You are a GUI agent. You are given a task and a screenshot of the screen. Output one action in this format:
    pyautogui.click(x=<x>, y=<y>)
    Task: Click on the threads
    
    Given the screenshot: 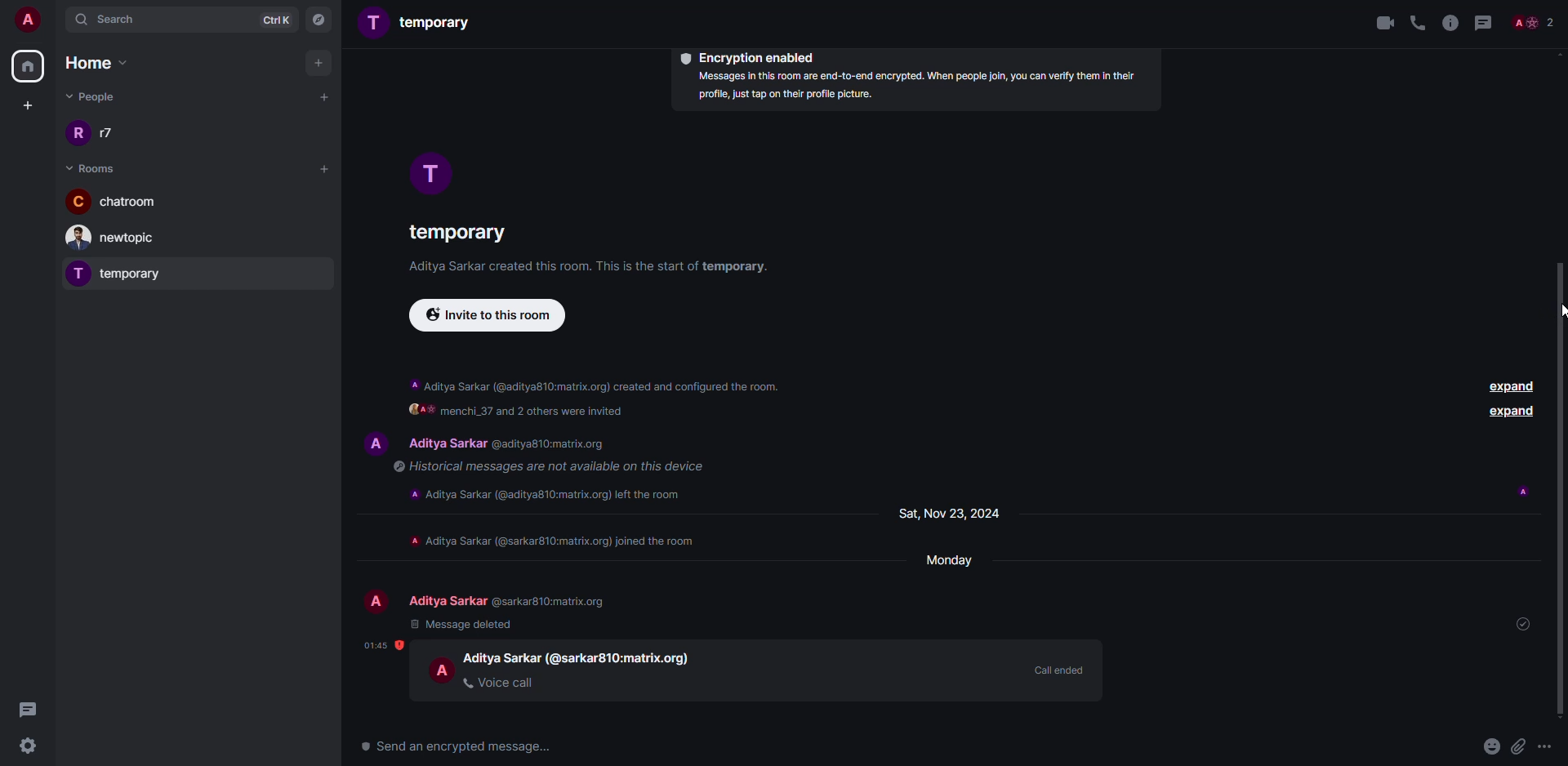 What is the action you would take?
    pyautogui.click(x=31, y=708)
    